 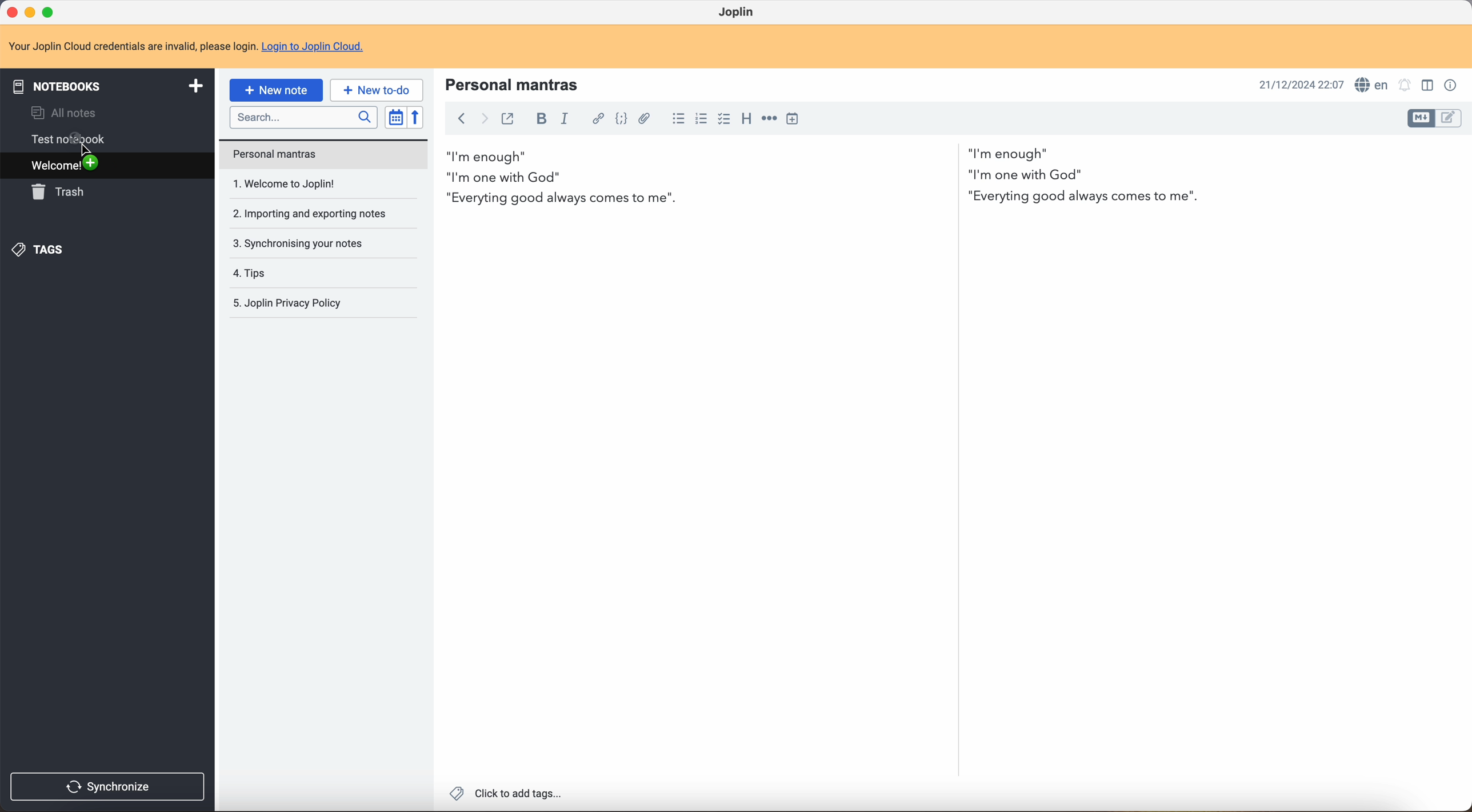 What do you see at coordinates (84, 151) in the screenshot?
I see `cursor` at bounding box center [84, 151].